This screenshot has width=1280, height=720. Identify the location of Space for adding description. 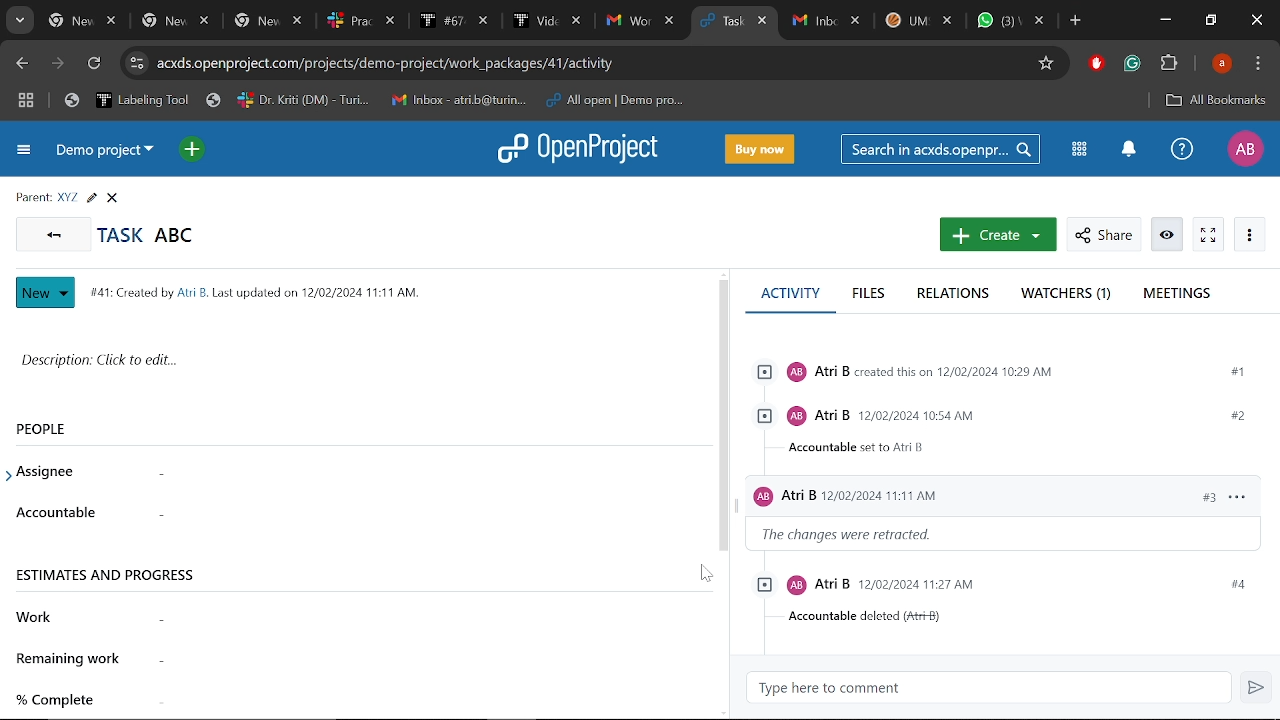
(350, 366).